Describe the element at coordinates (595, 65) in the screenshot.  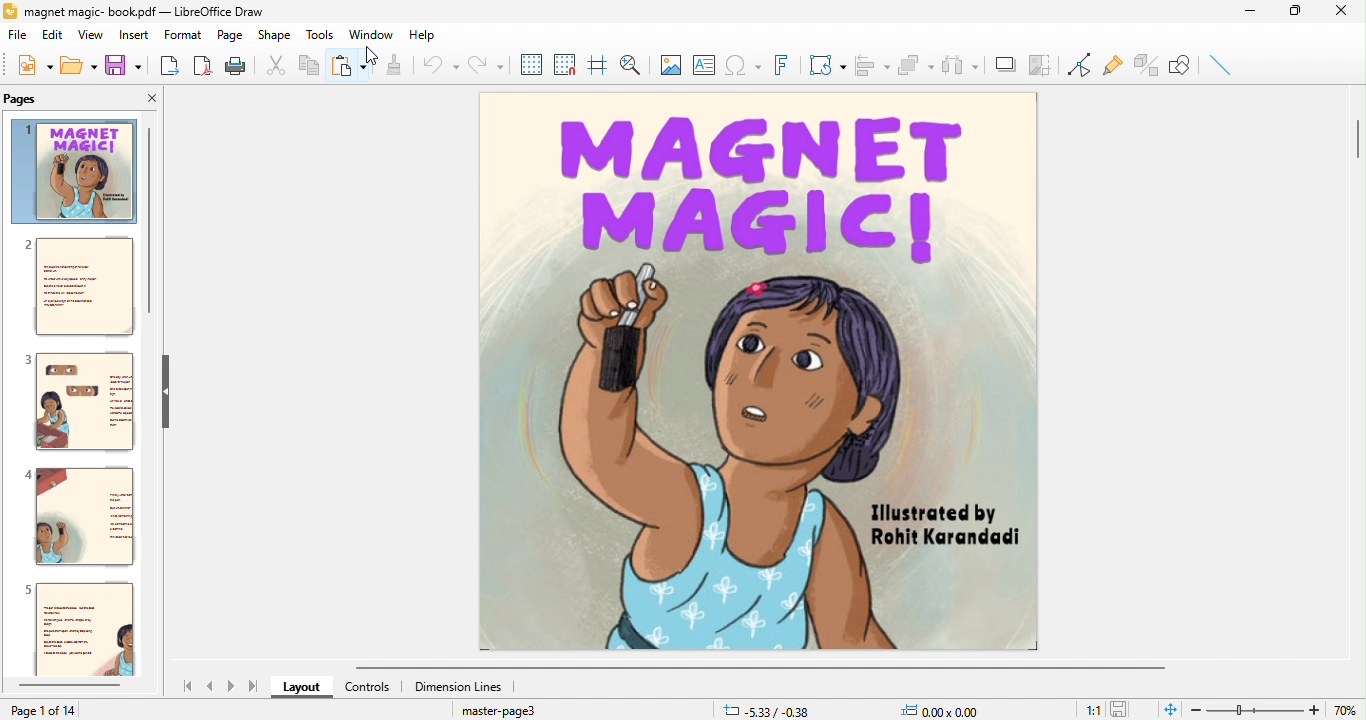
I see `helpline while moving` at that location.